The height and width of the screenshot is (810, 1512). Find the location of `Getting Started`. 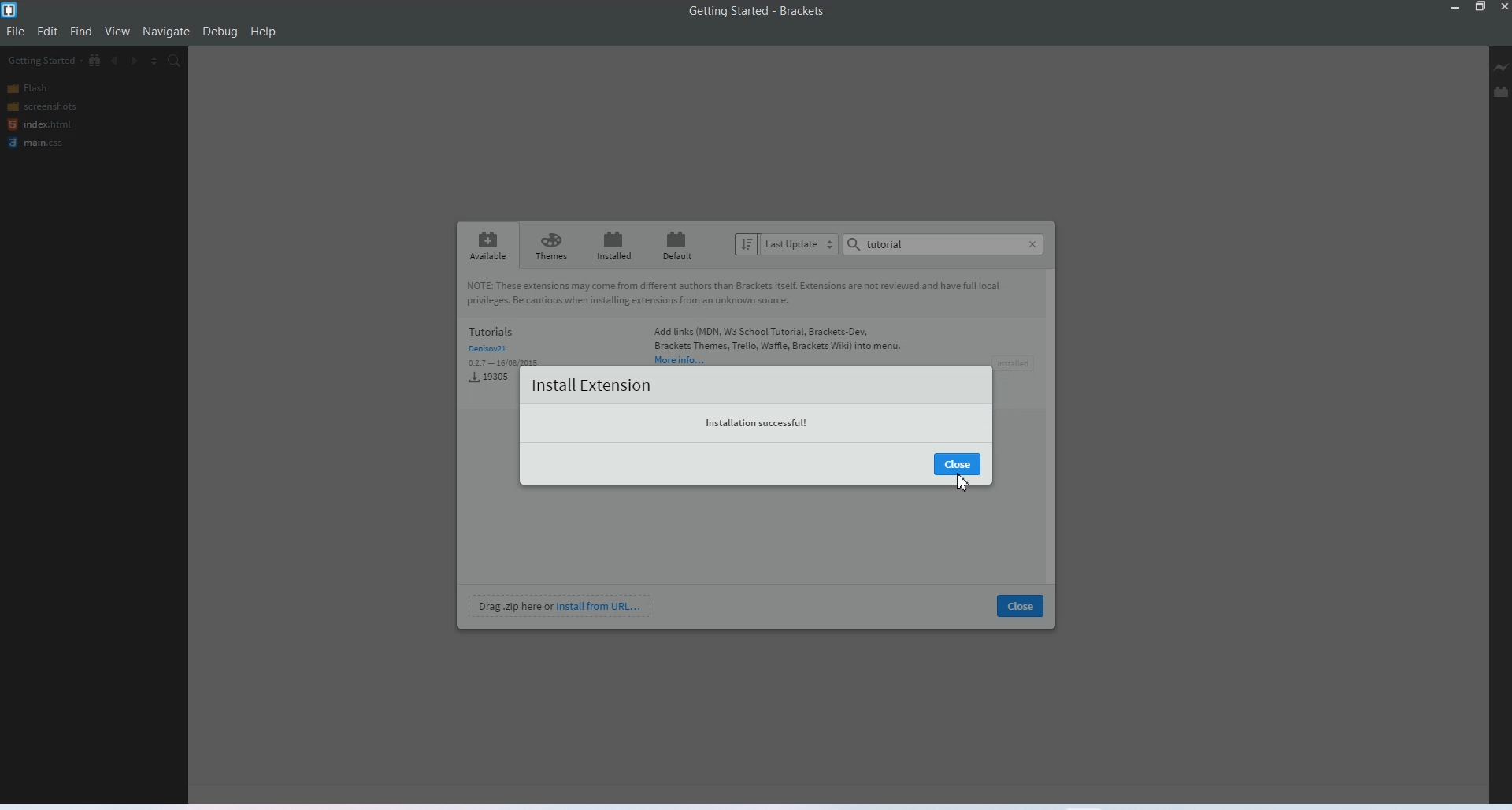

Getting Started is located at coordinates (43, 61).